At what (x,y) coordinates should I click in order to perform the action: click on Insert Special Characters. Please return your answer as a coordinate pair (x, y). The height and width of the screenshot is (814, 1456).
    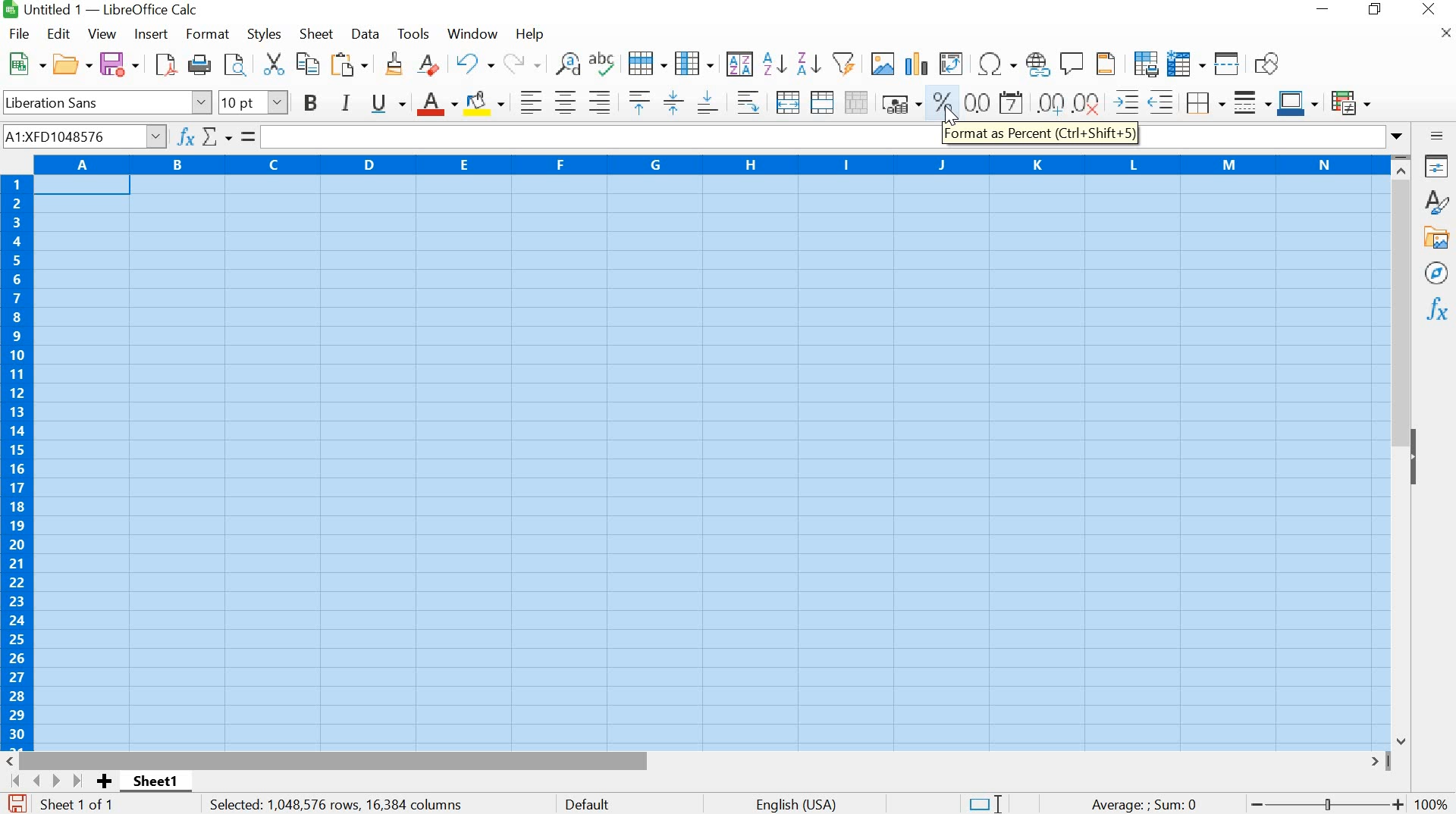
    Looking at the image, I should click on (996, 61).